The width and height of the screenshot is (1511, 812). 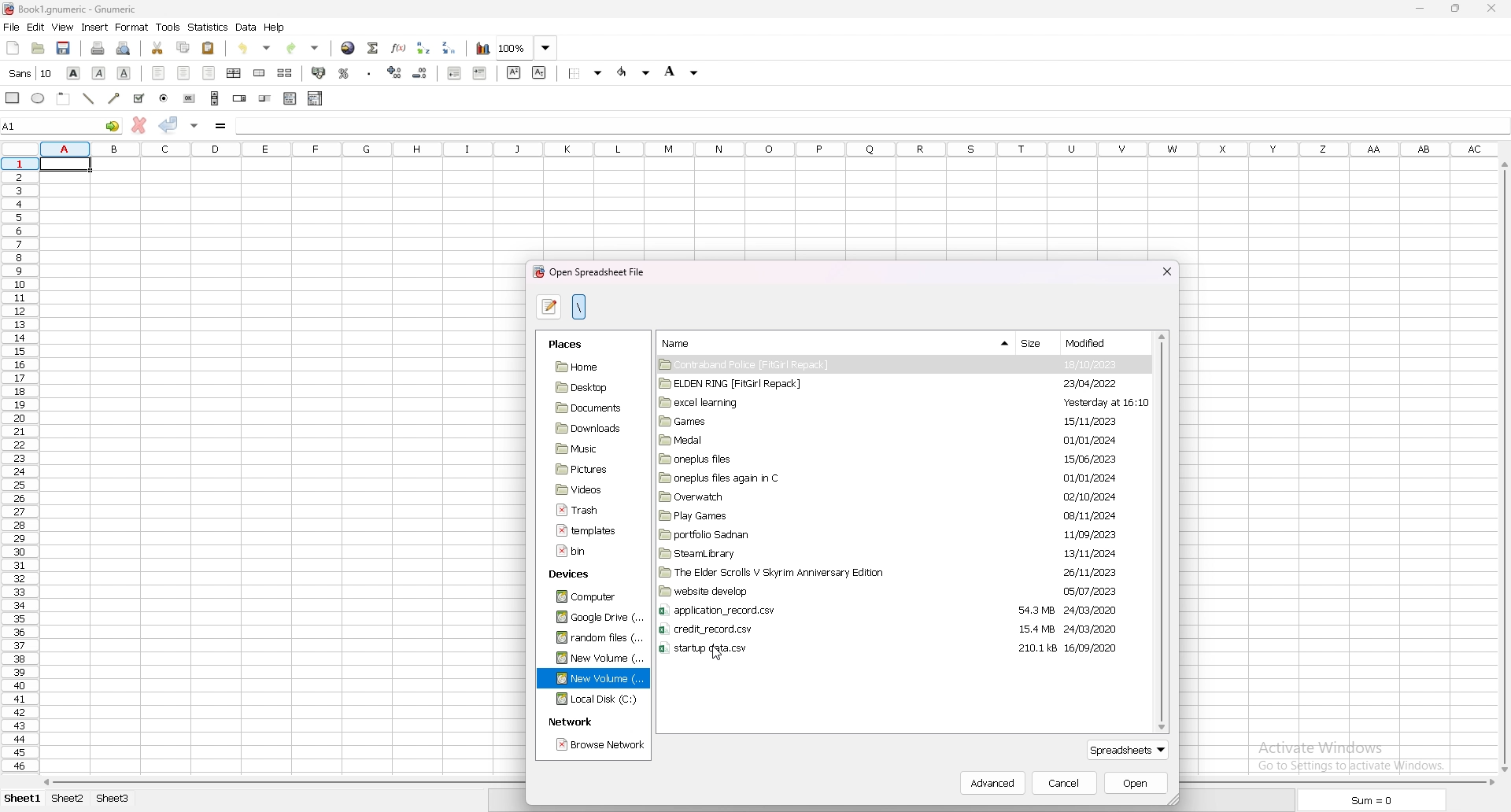 What do you see at coordinates (39, 98) in the screenshot?
I see `ellipse` at bounding box center [39, 98].